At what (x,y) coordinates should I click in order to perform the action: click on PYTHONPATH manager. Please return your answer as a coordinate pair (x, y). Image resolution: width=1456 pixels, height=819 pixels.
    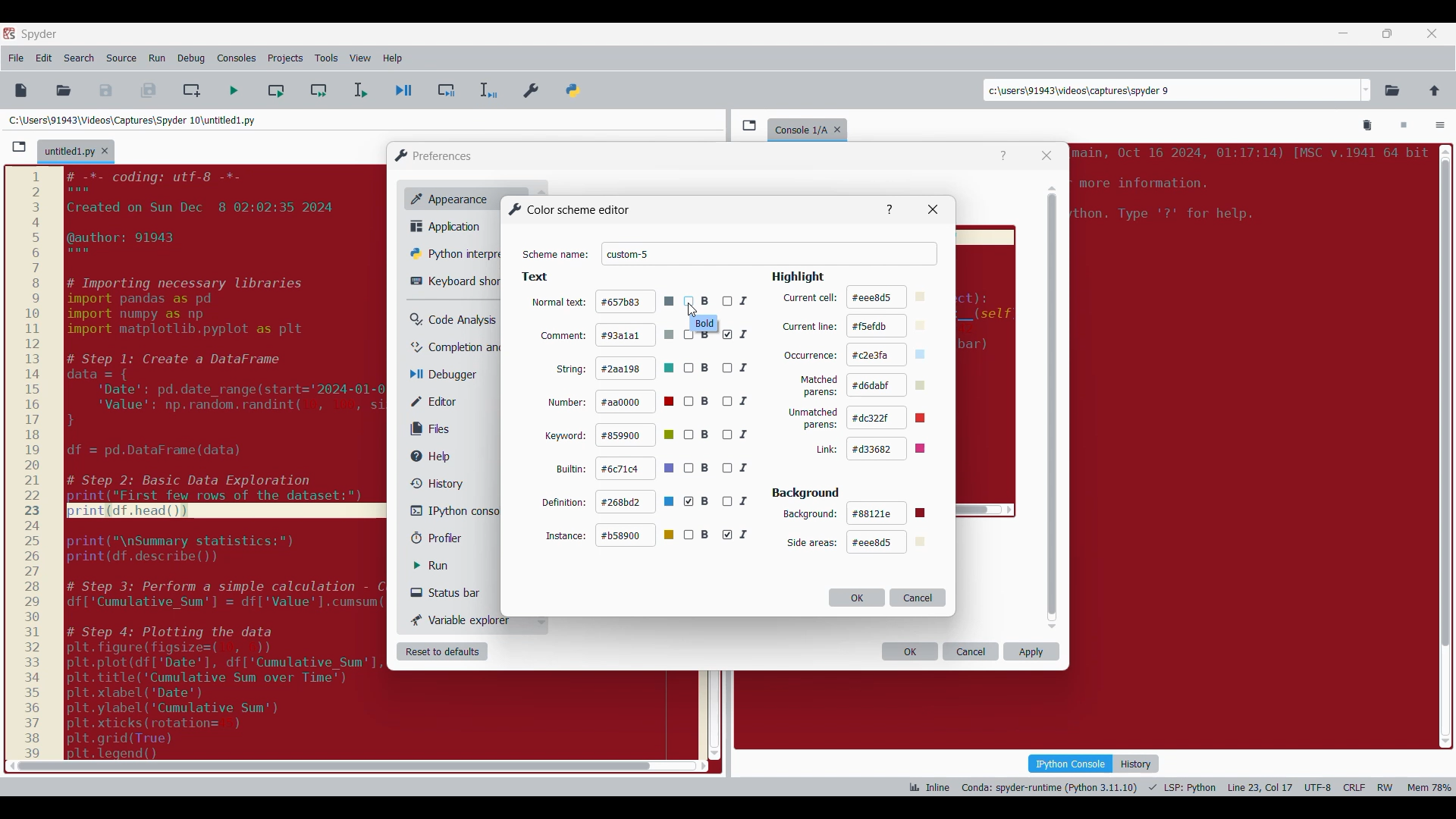
    Looking at the image, I should click on (576, 87).